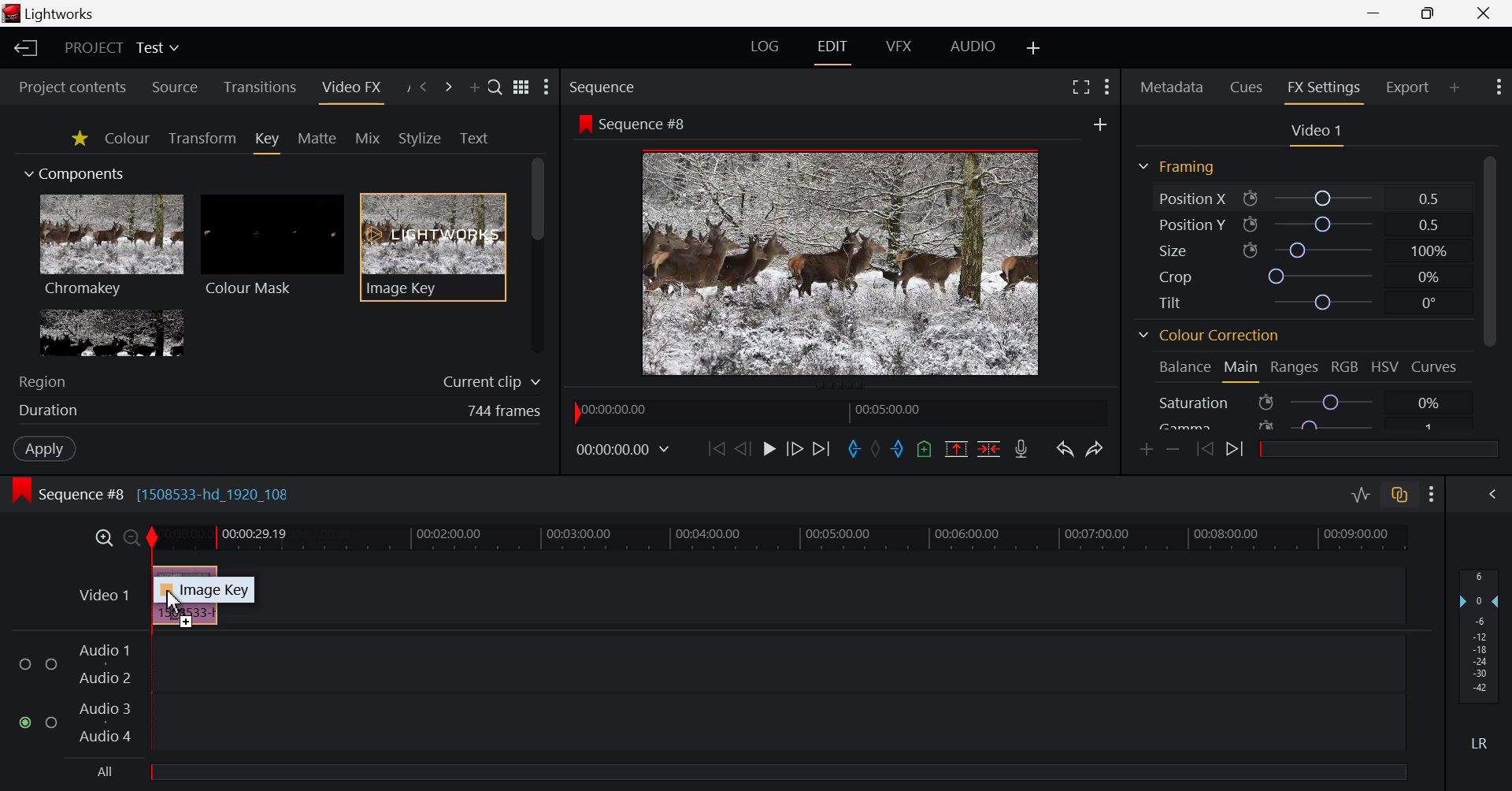  Describe the element at coordinates (110, 332) in the screenshot. I see `Lumakey` at that location.